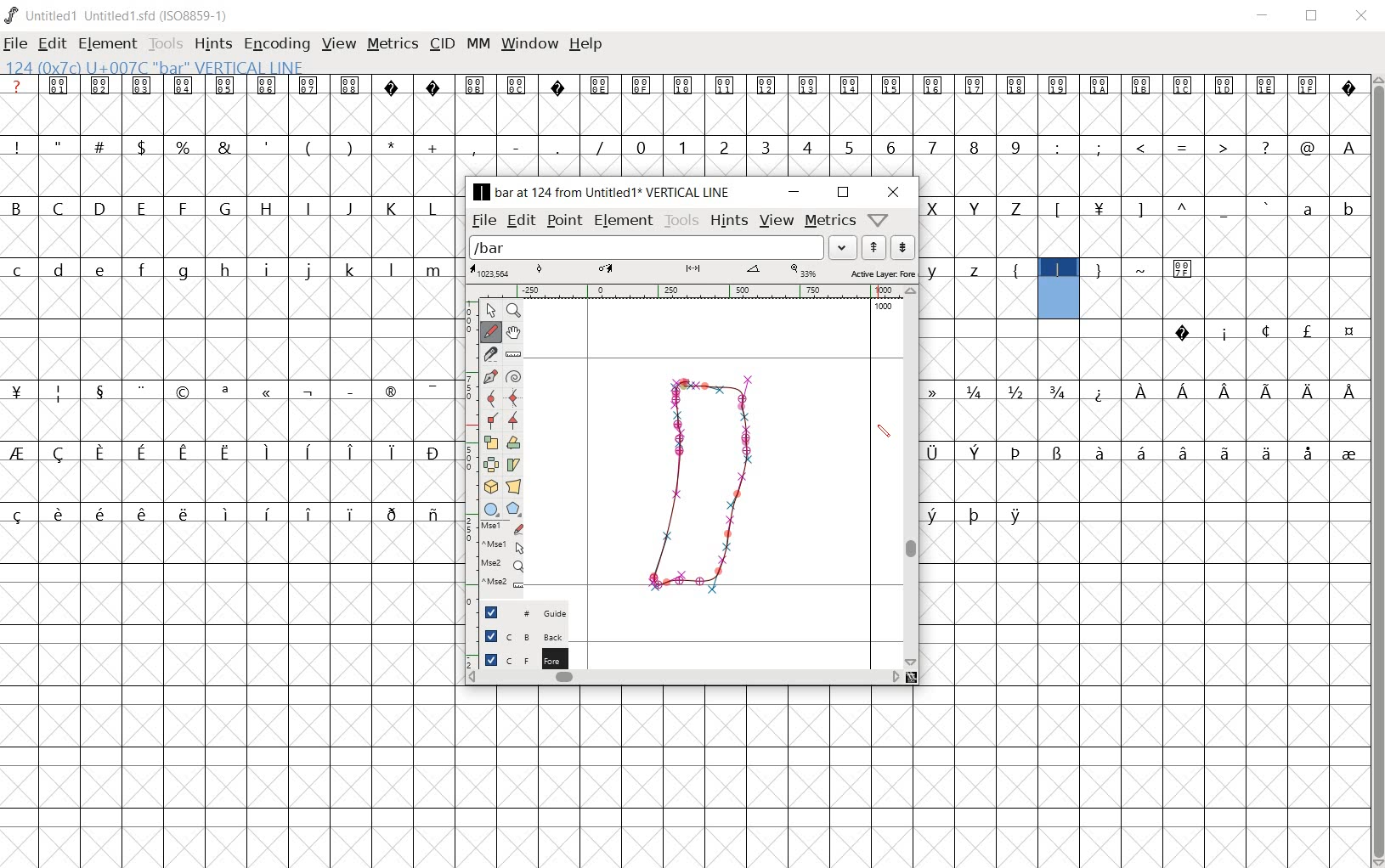  Describe the element at coordinates (166, 42) in the screenshot. I see `tools` at that location.